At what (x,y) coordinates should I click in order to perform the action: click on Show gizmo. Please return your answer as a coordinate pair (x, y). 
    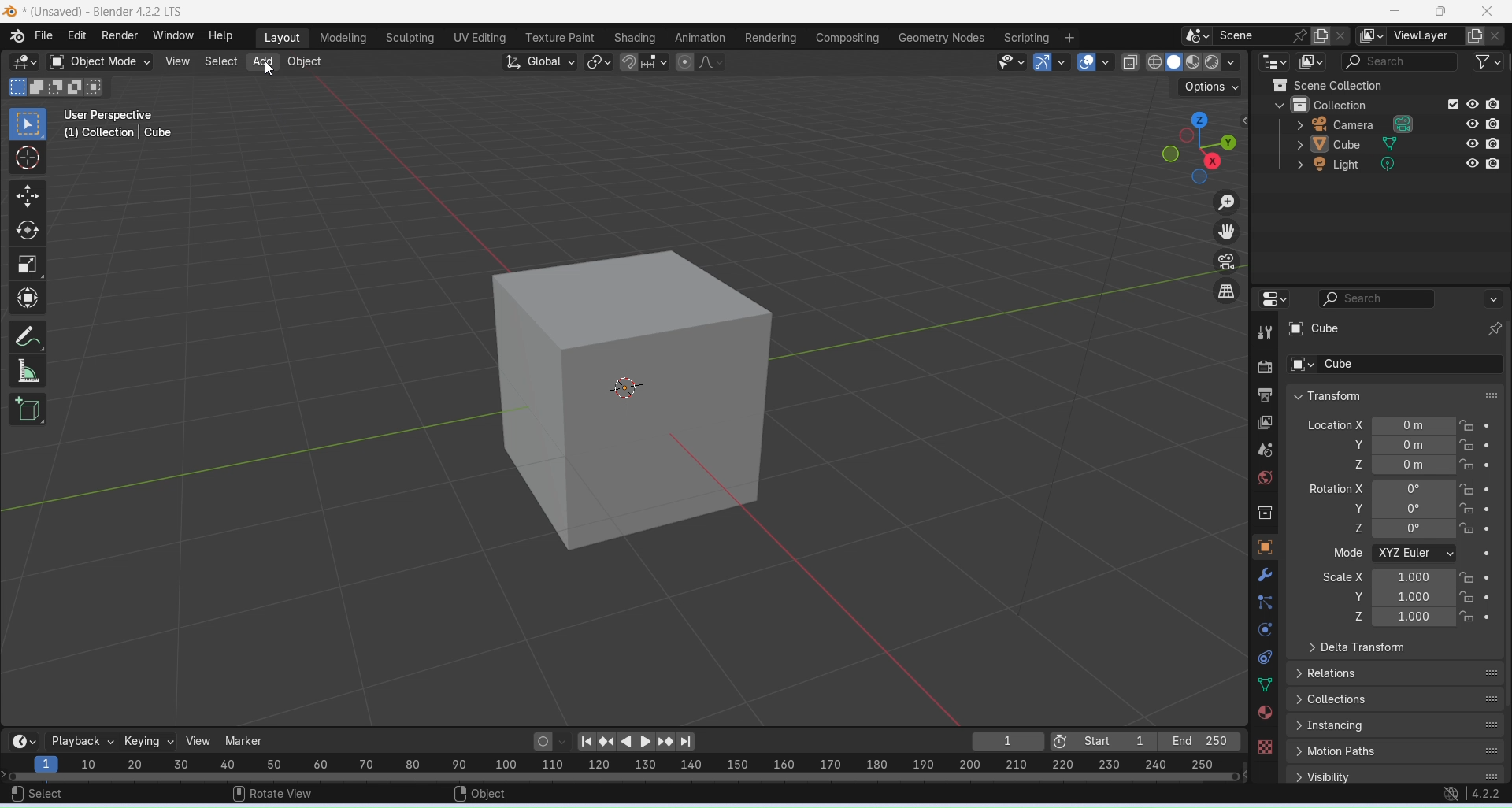
    Looking at the image, I should click on (1050, 63).